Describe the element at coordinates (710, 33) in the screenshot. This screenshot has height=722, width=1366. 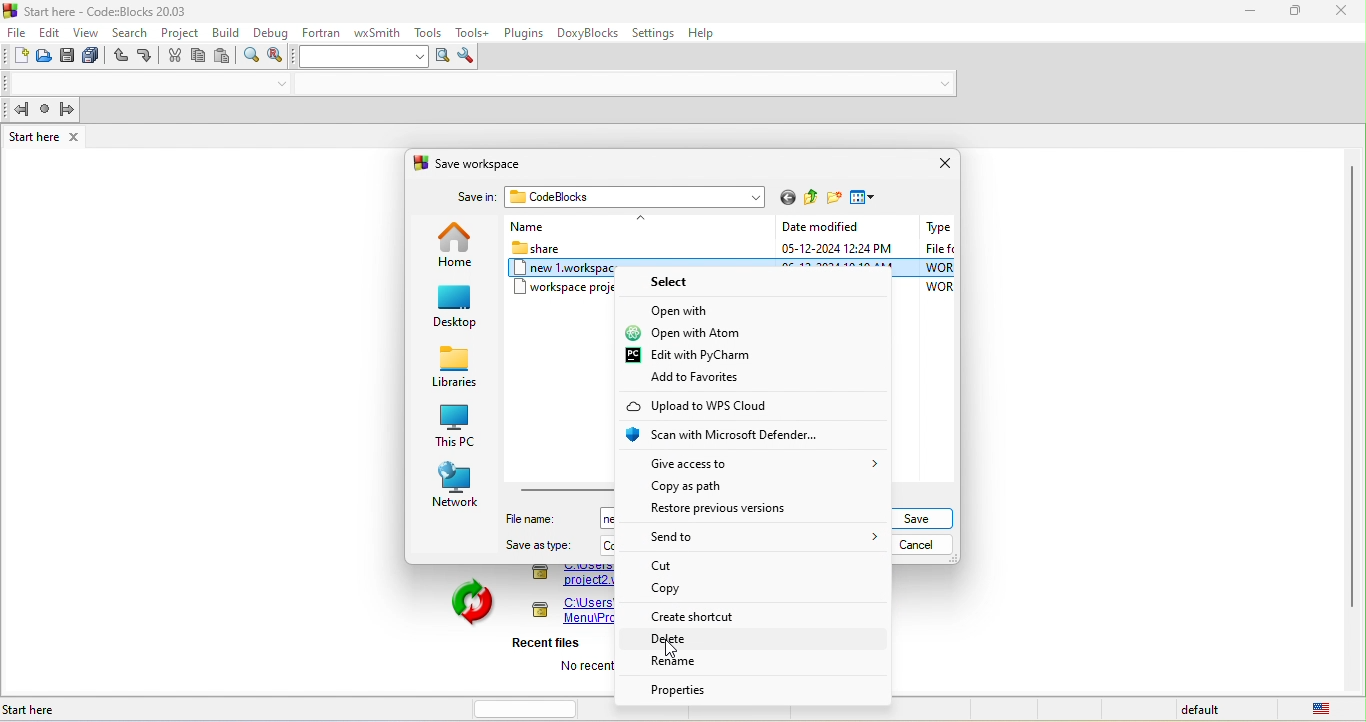
I see `help` at that location.